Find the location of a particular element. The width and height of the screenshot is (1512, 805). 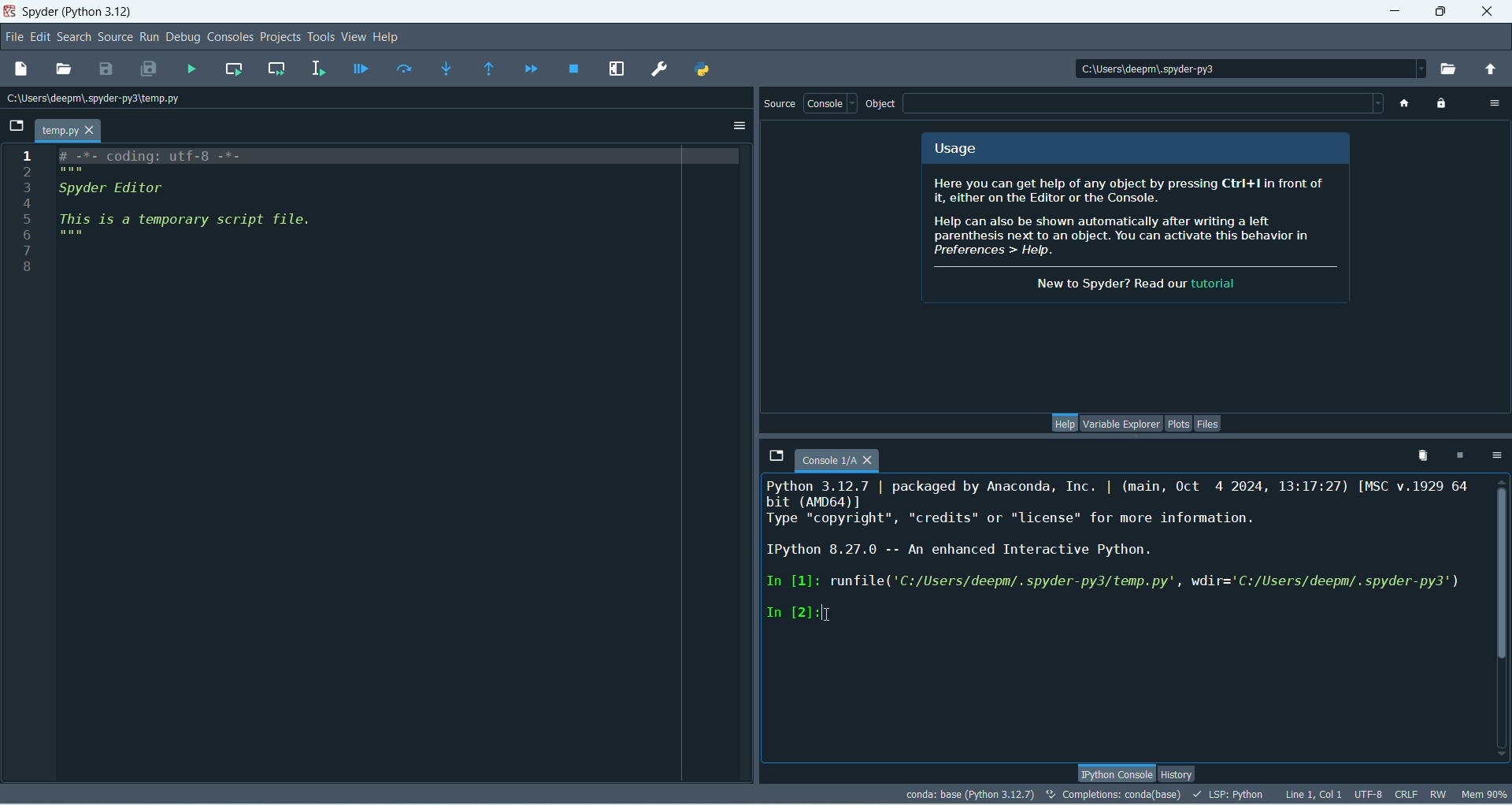

file is located at coordinates (16, 38).